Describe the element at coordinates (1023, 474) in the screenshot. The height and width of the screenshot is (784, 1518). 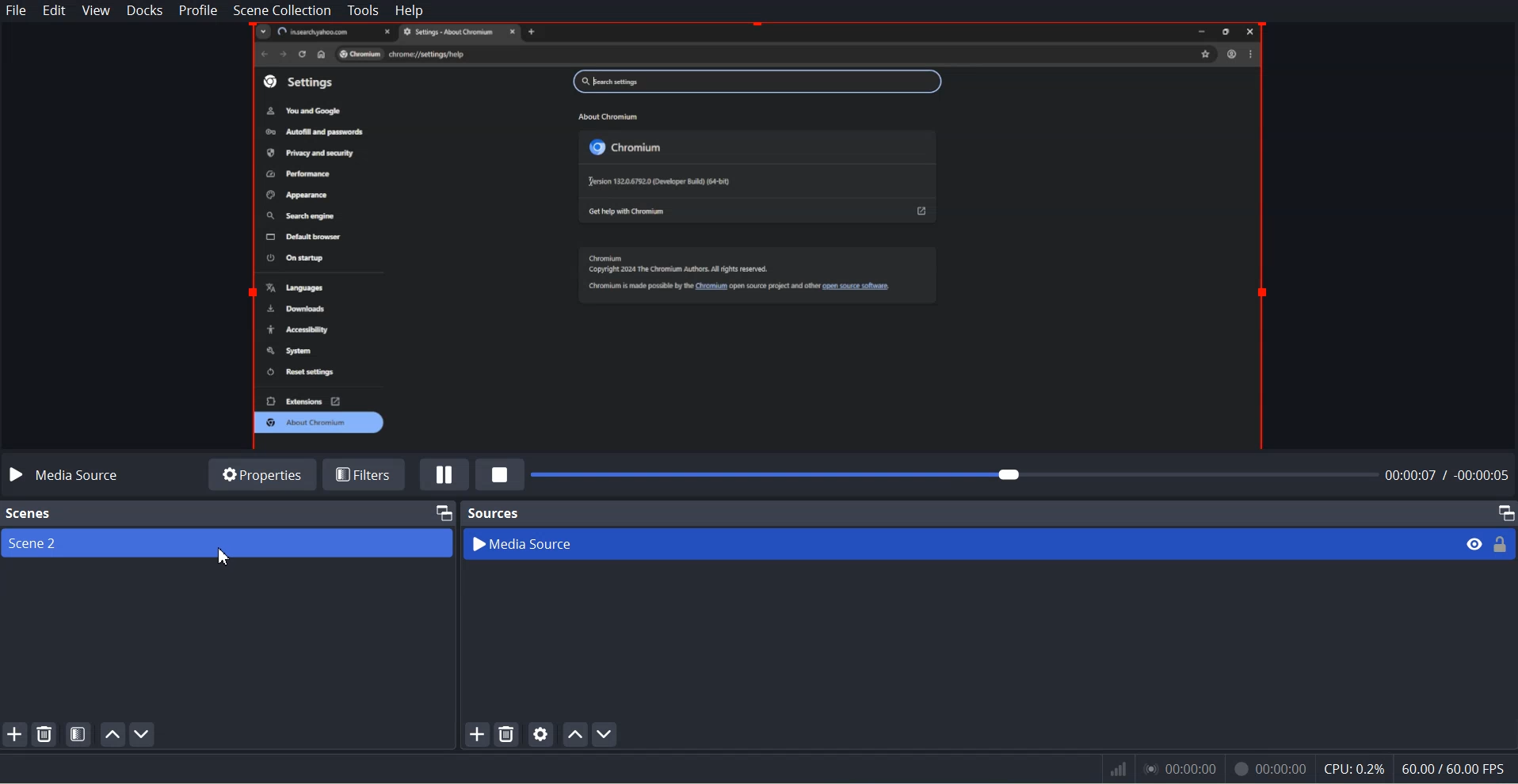
I see `File time adjuster` at that location.